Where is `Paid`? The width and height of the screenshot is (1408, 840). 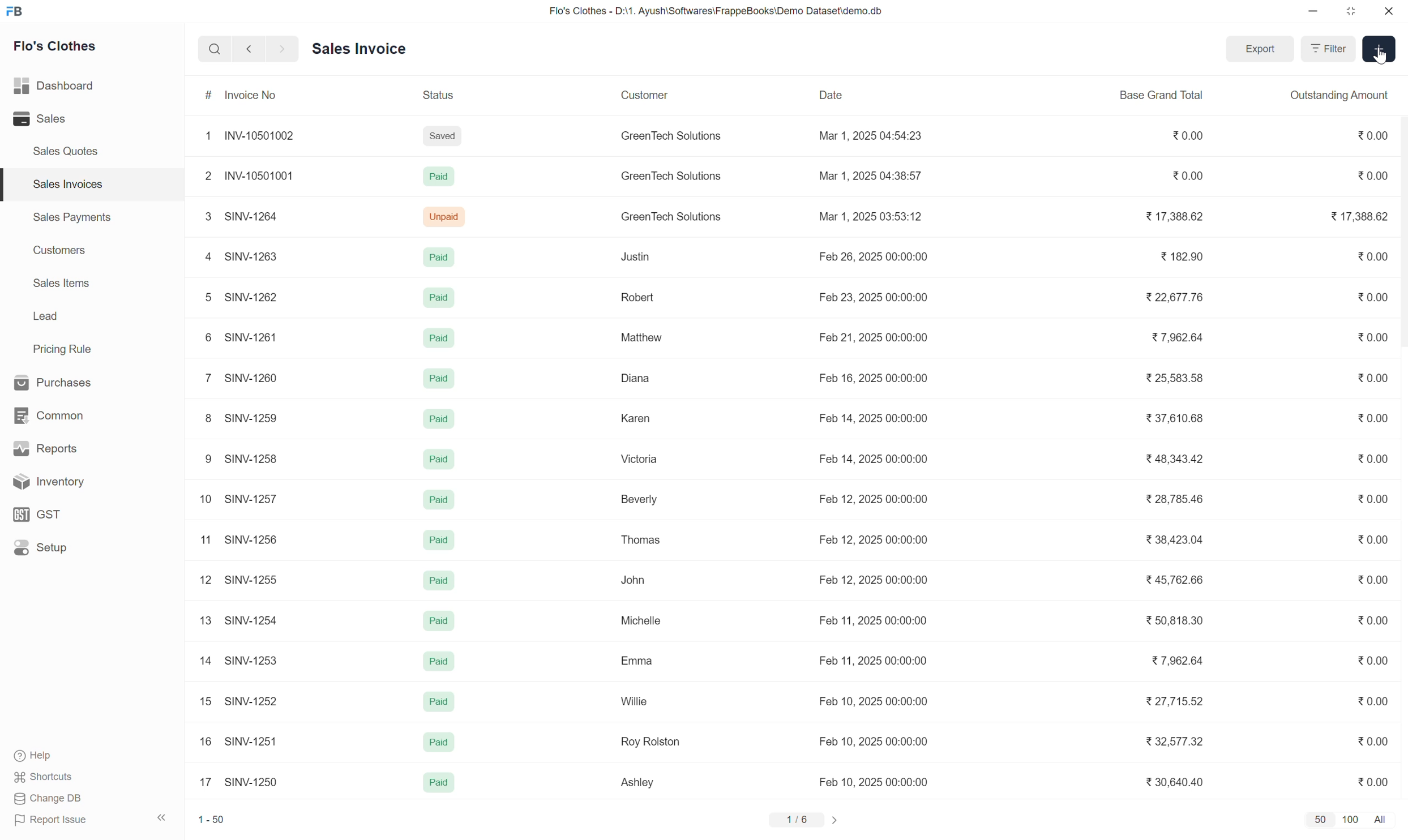
Paid is located at coordinates (436, 178).